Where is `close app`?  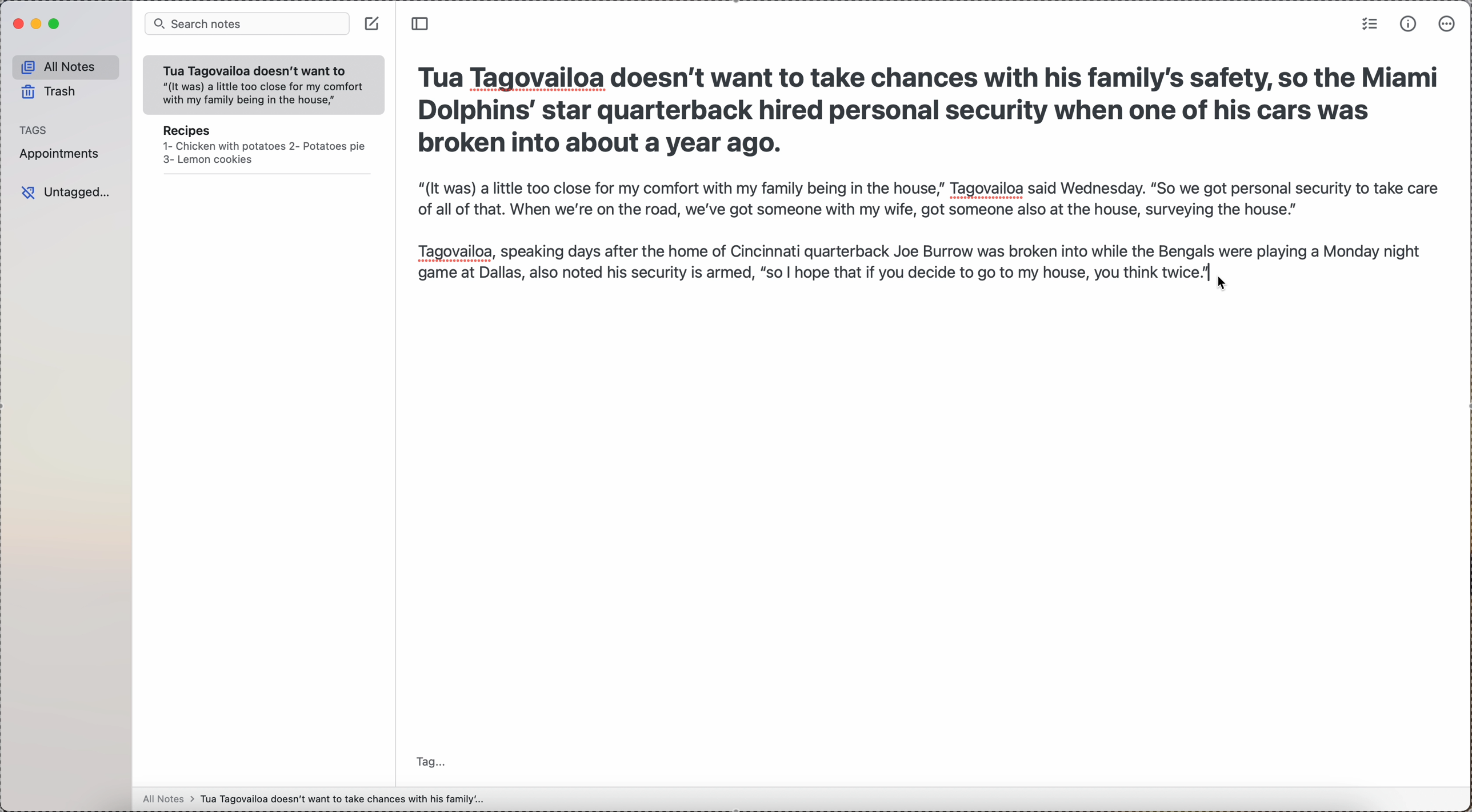
close app is located at coordinates (17, 25).